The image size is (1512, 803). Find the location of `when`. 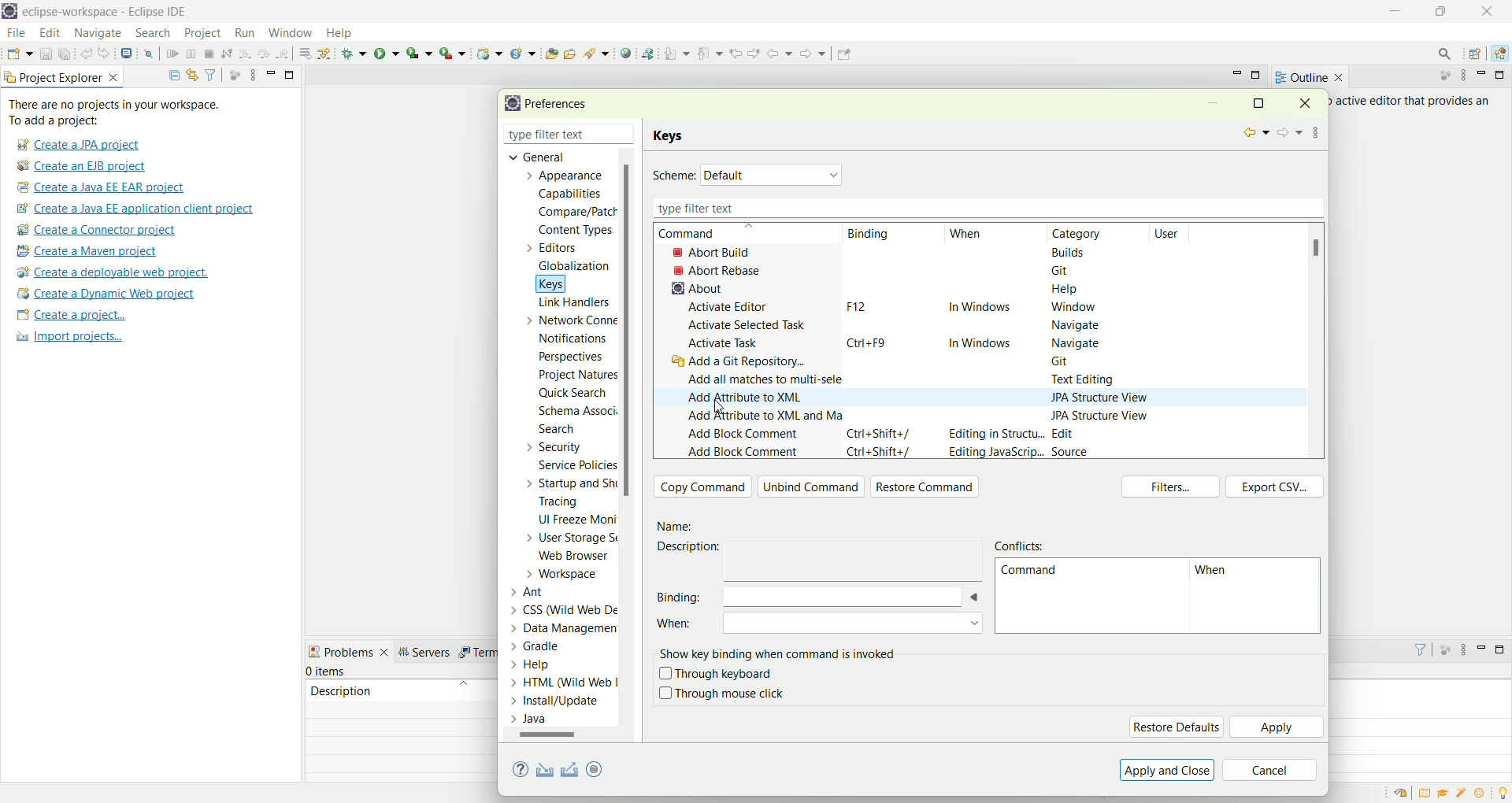

when is located at coordinates (825, 627).